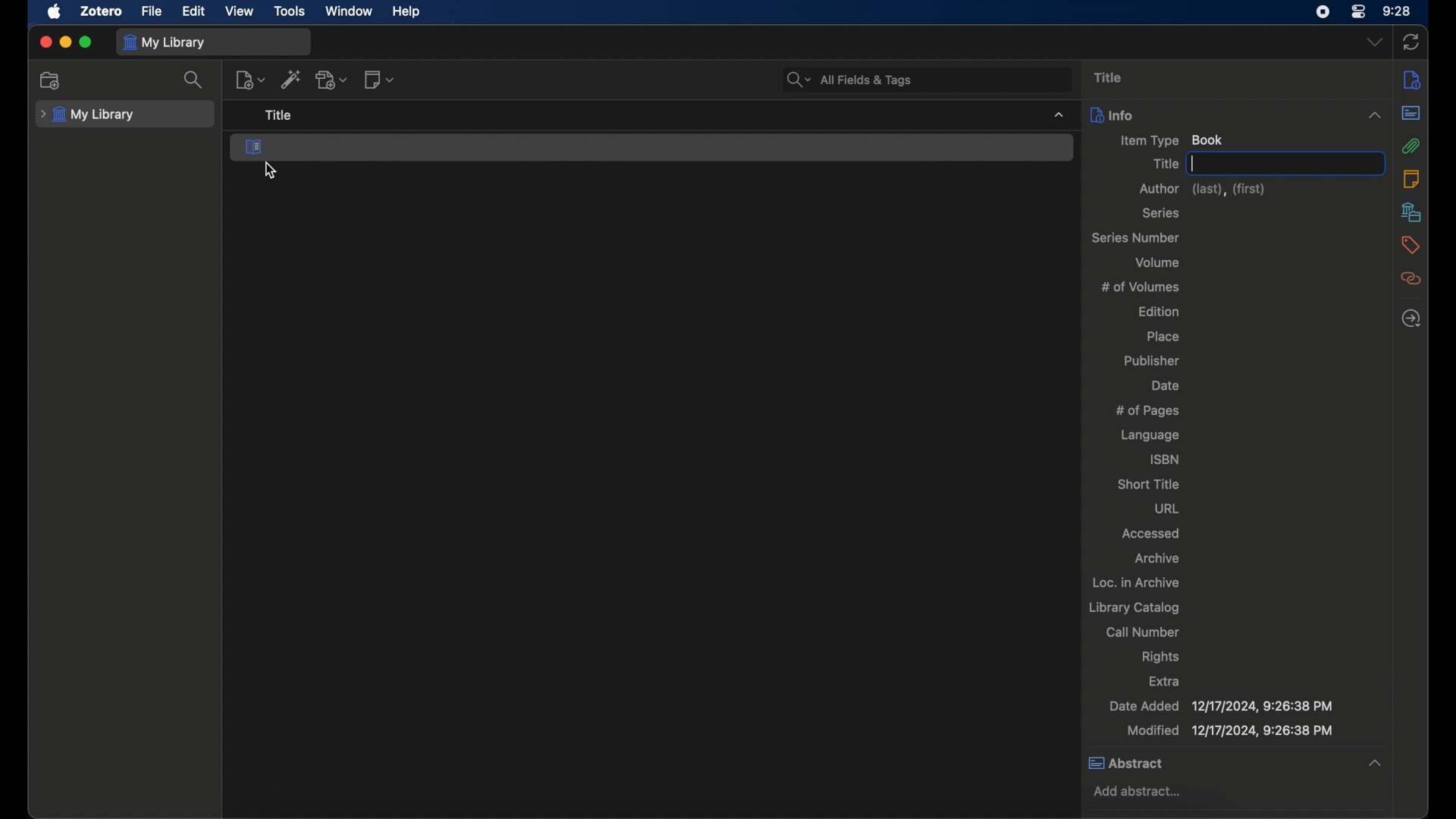 The height and width of the screenshot is (819, 1456). What do you see at coordinates (1059, 115) in the screenshot?
I see `dropdown` at bounding box center [1059, 115].